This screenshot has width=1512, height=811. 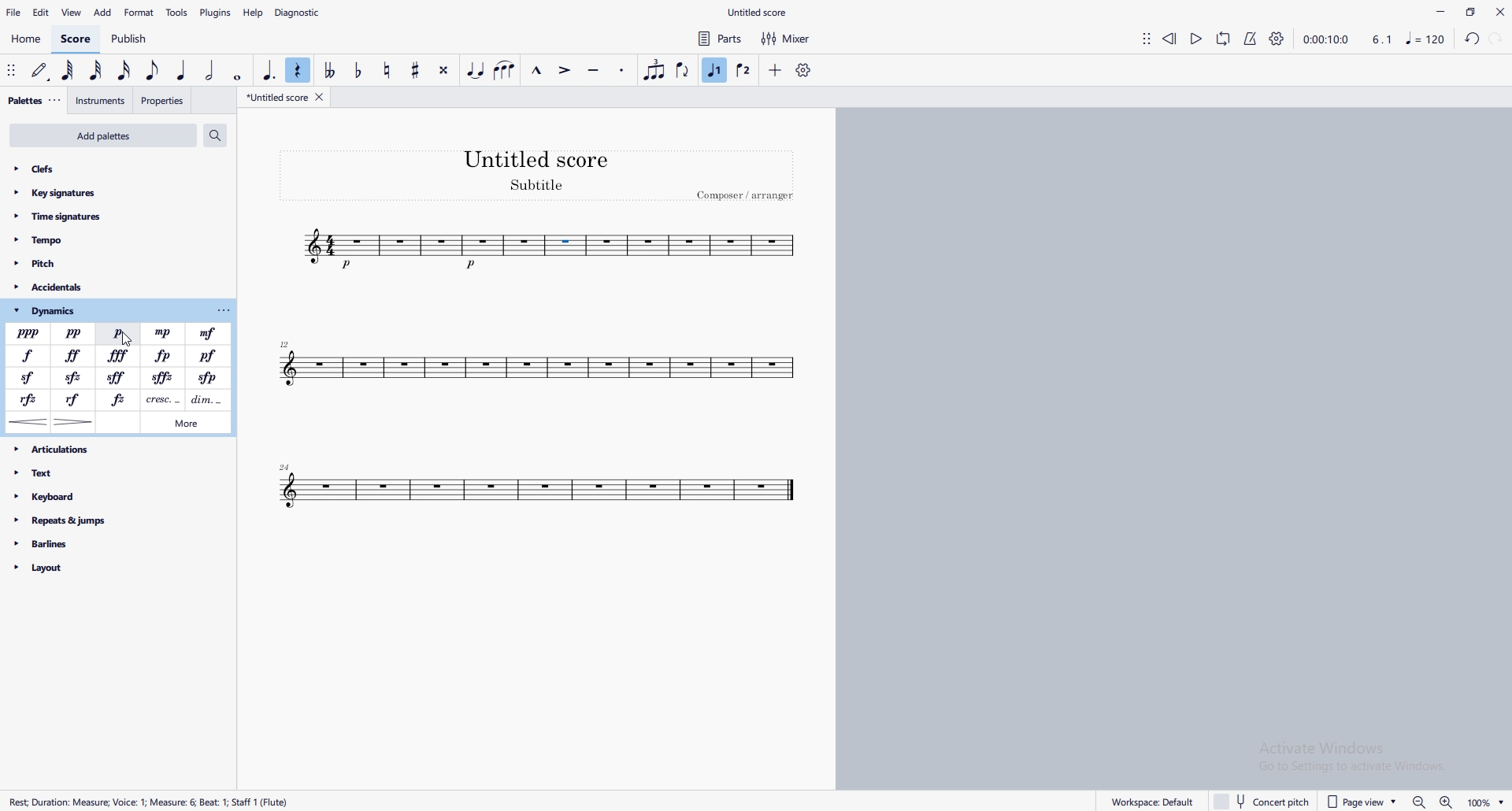 I want to click on music, so click(x=1427, y=38).